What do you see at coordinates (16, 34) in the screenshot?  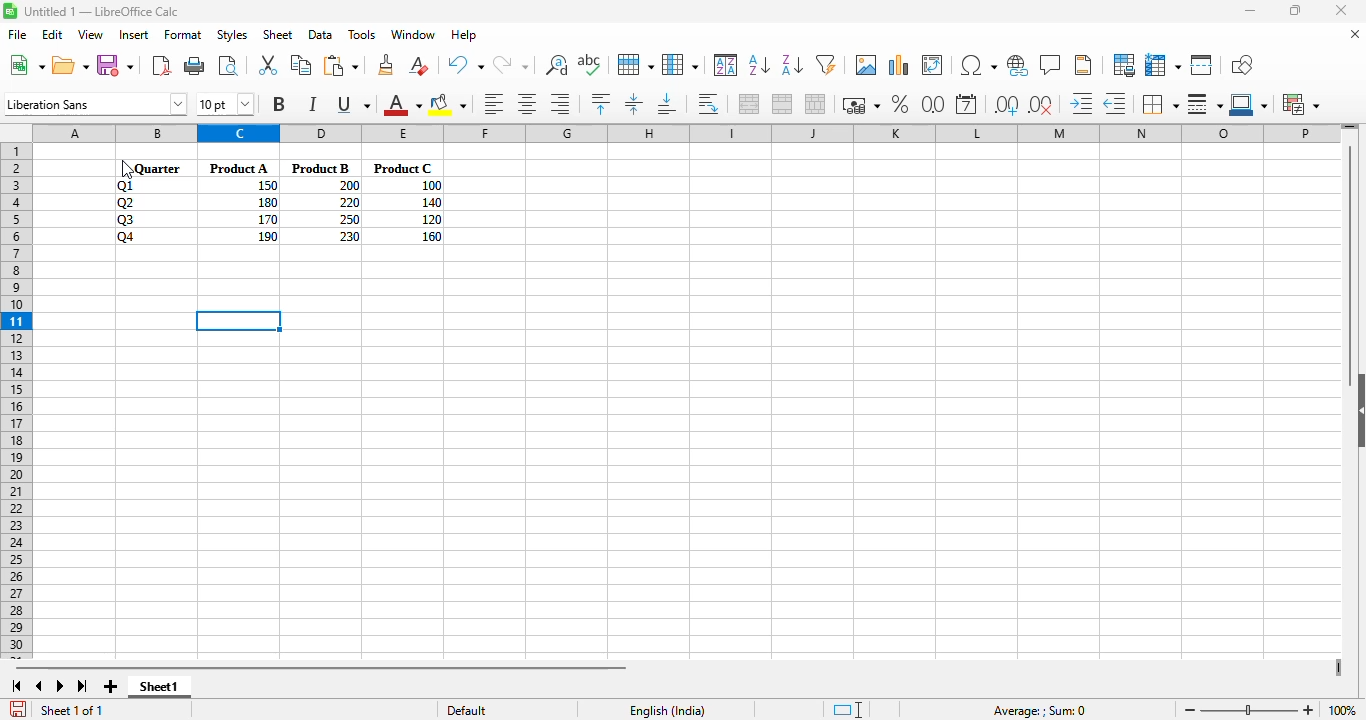 I see `file` at bounding box center [16, 34].